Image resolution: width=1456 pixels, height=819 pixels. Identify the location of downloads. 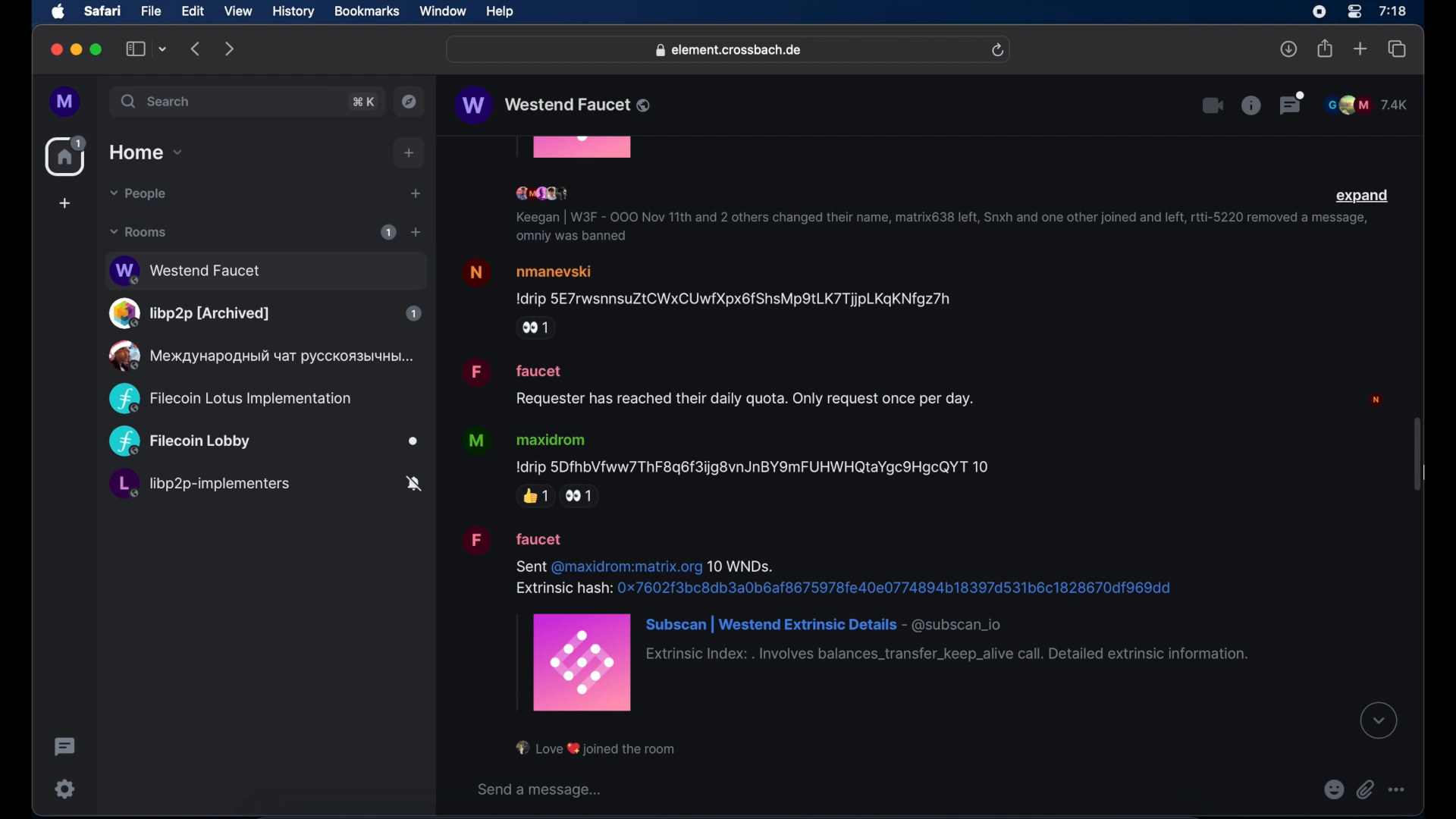
(1289, 49).